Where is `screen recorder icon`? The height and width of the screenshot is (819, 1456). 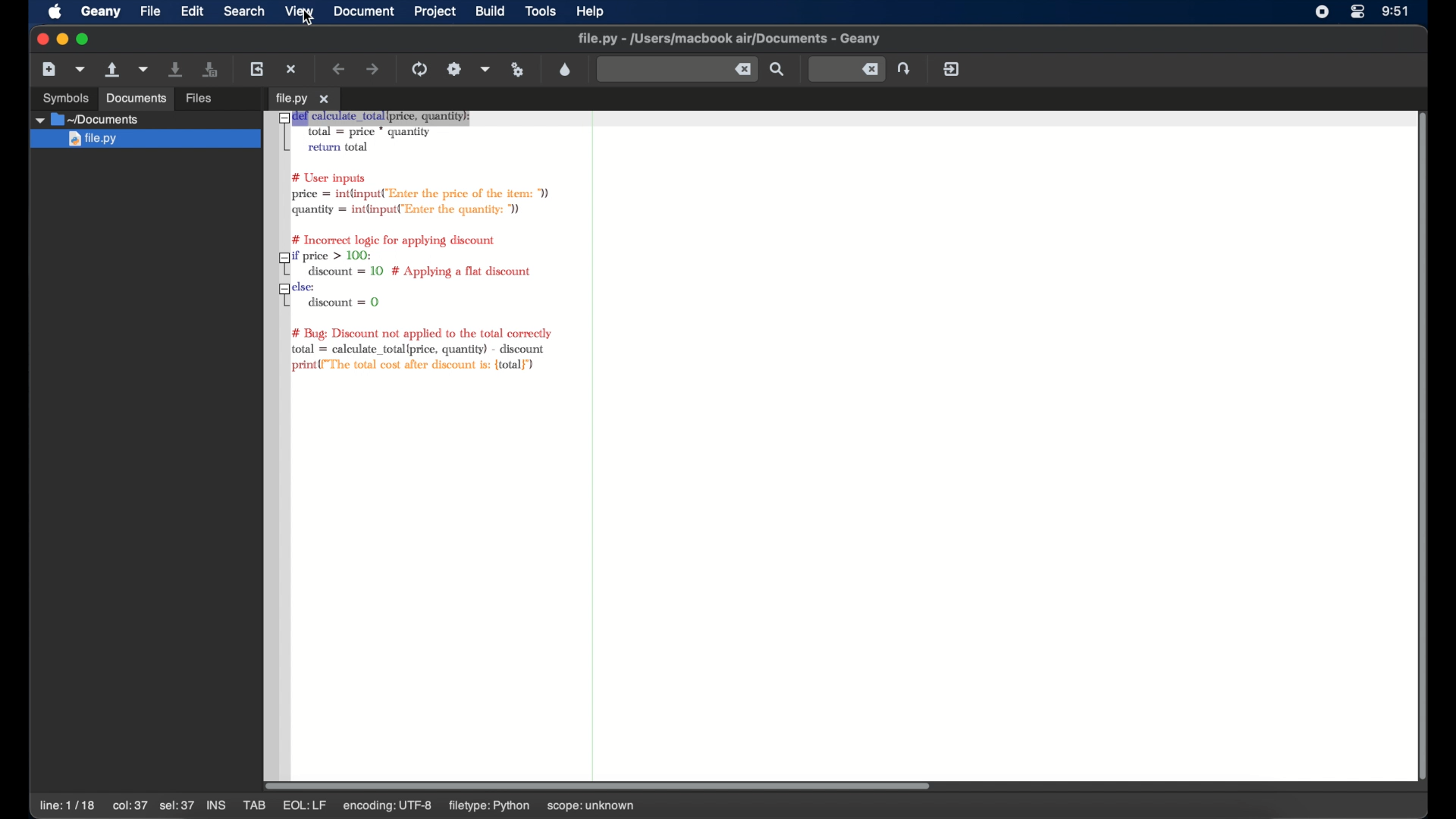
screen recorder icon is located at coordinates (1323, 11).